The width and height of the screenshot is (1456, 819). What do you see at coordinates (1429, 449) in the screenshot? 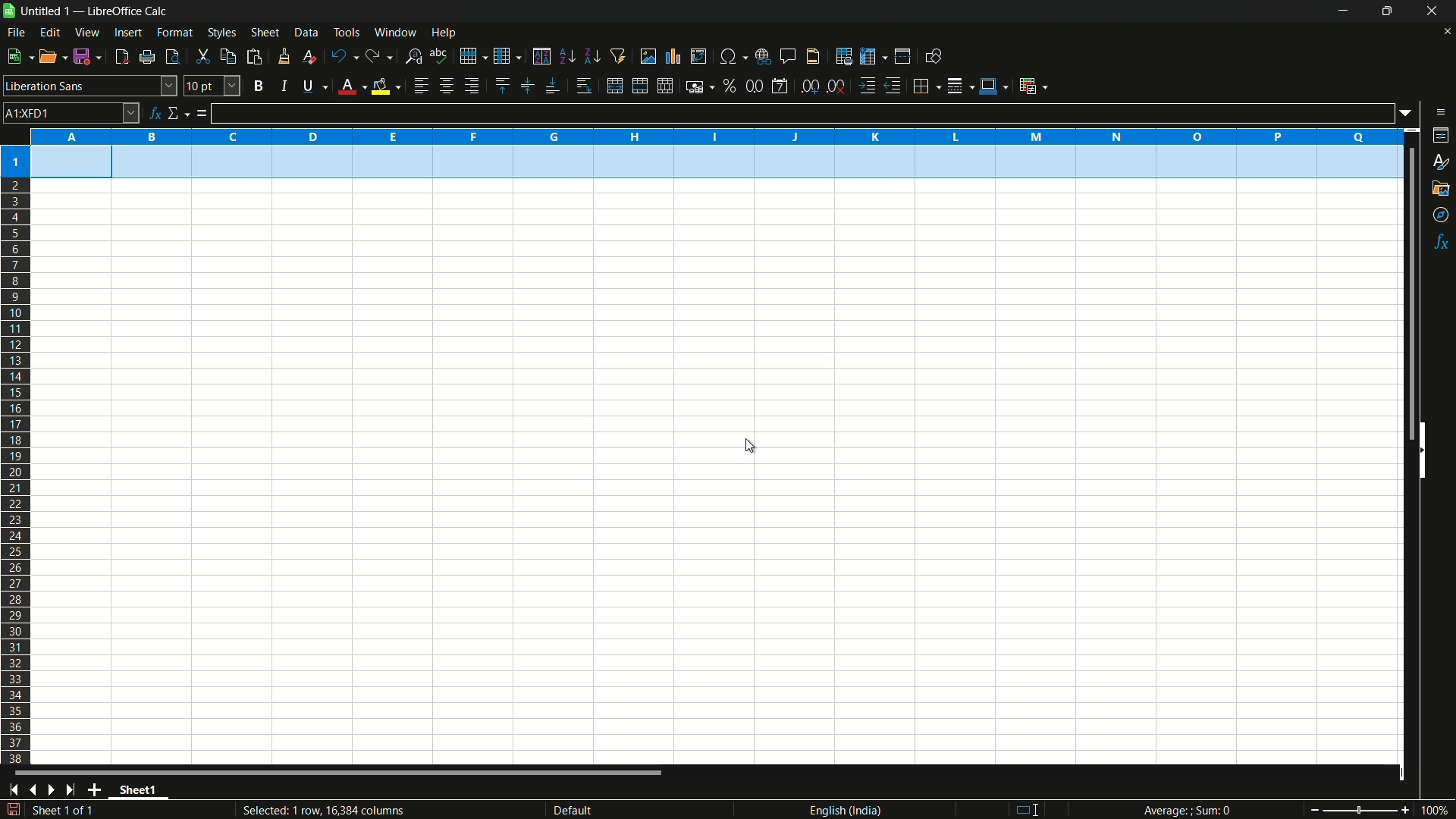
I see `hide sidebar` at bounding box center [1429, 449].